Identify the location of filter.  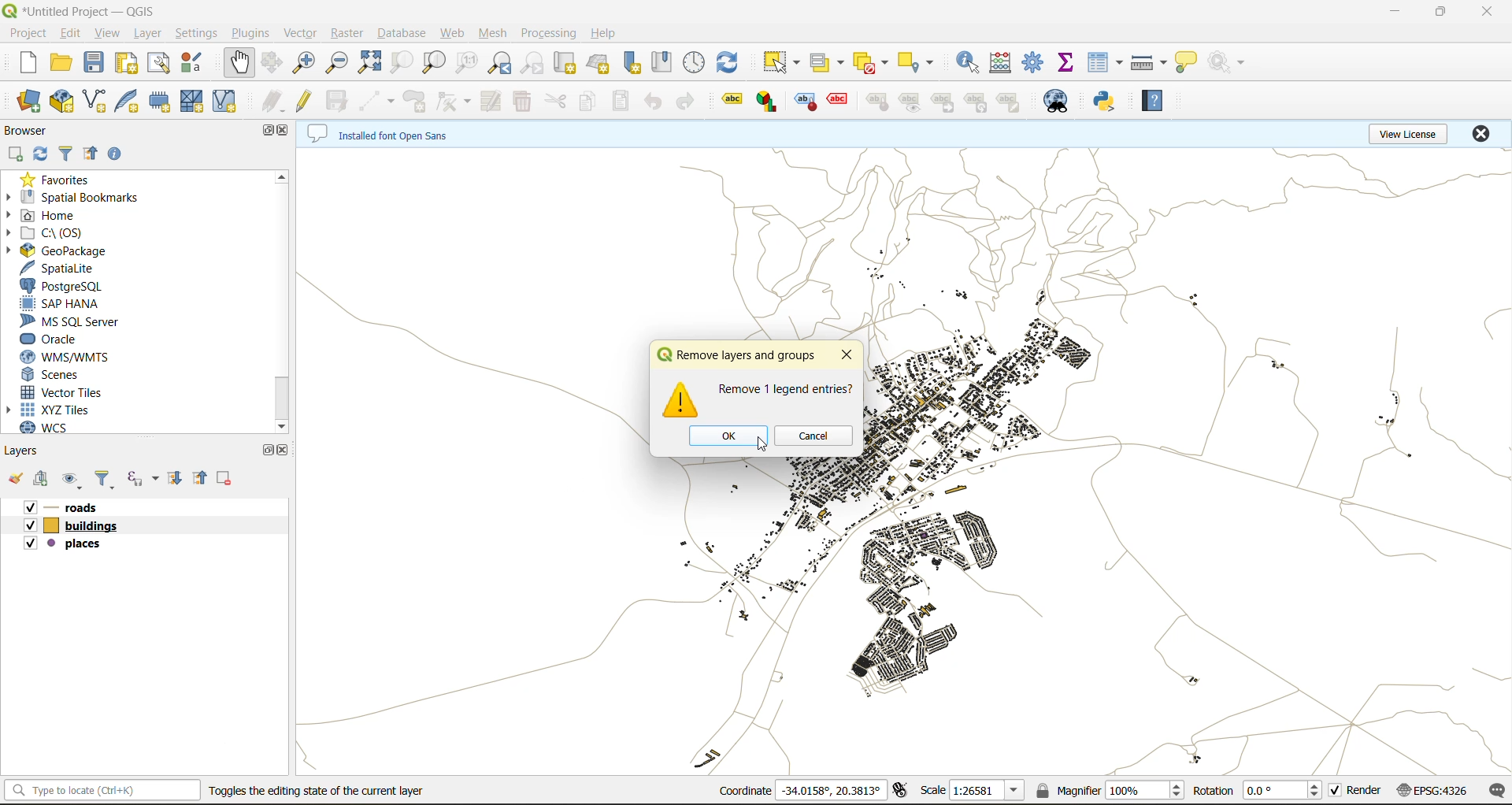
(109, 480).